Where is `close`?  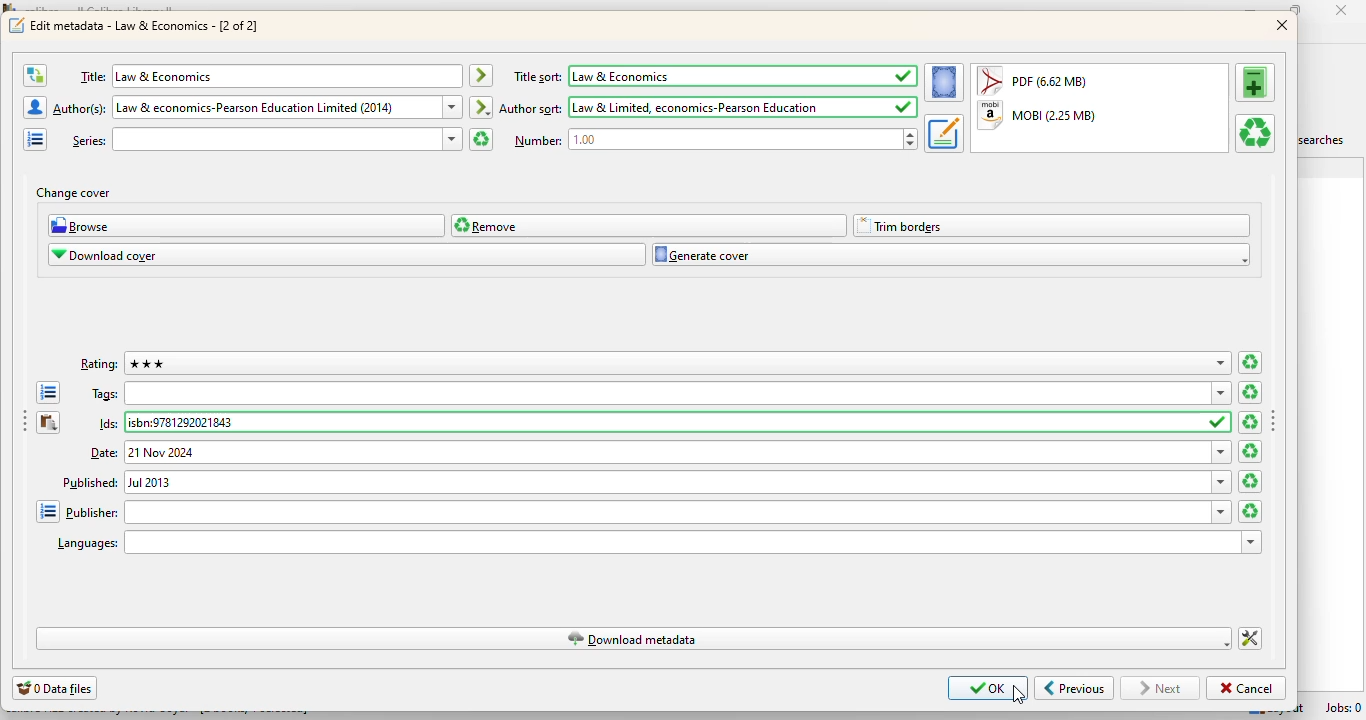 close is located at coordinates (1346, 11).